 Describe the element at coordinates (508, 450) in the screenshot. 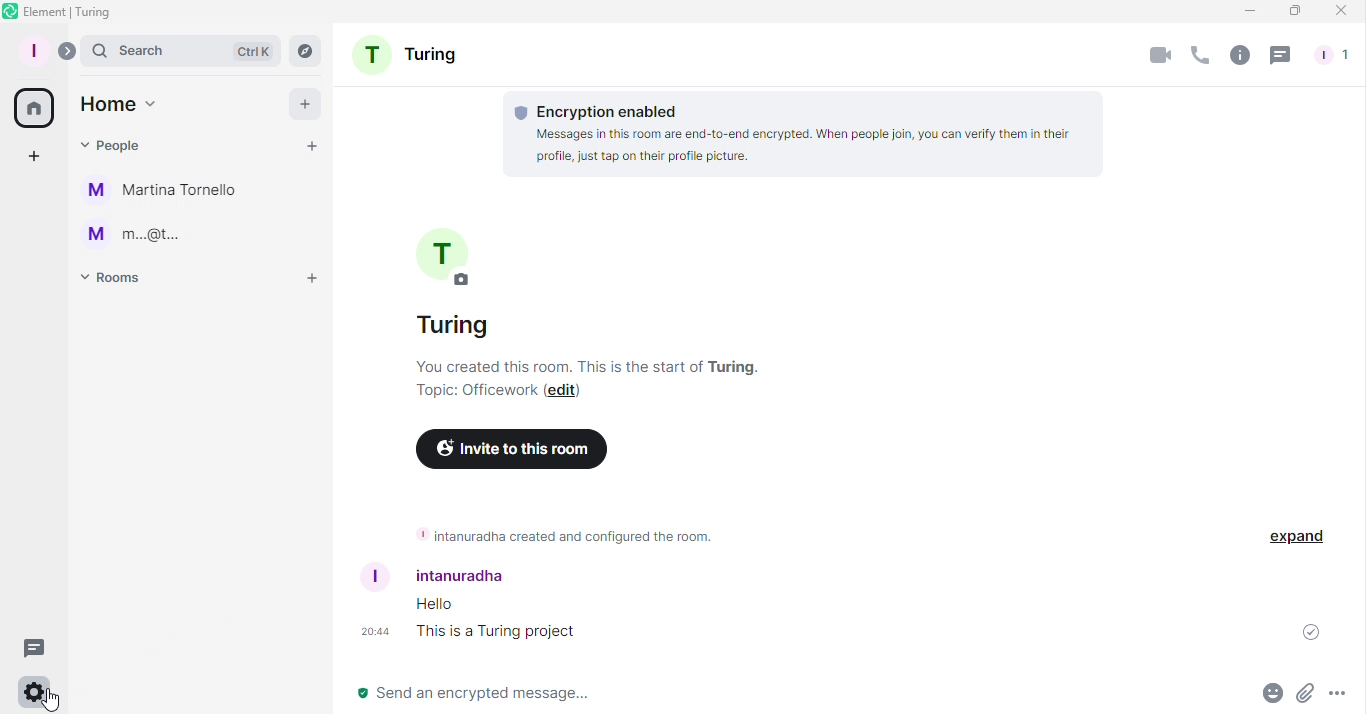

I see `Invite to this room` at that location.